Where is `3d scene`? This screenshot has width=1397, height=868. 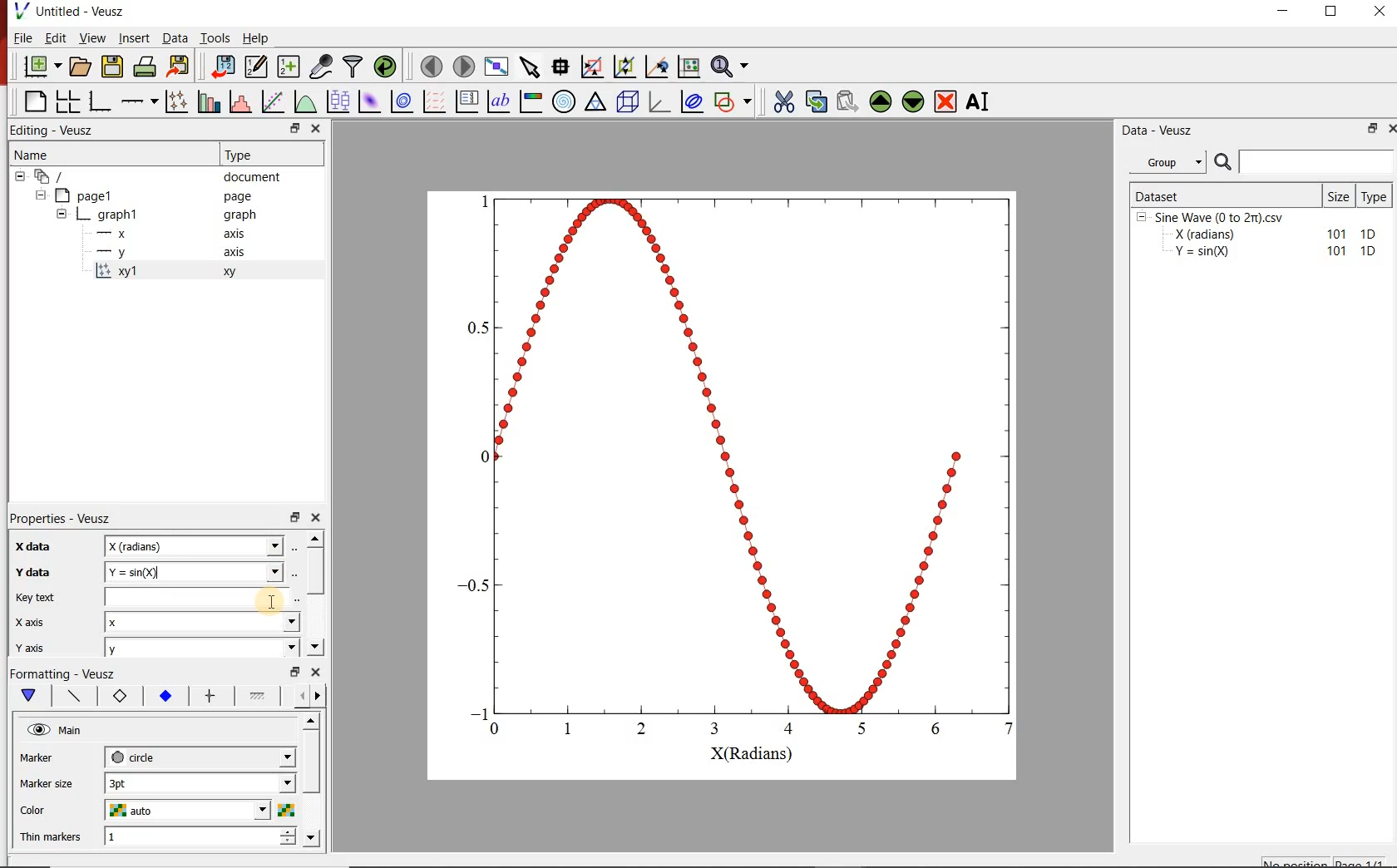
3d scene is located at coordinates (628, 101).